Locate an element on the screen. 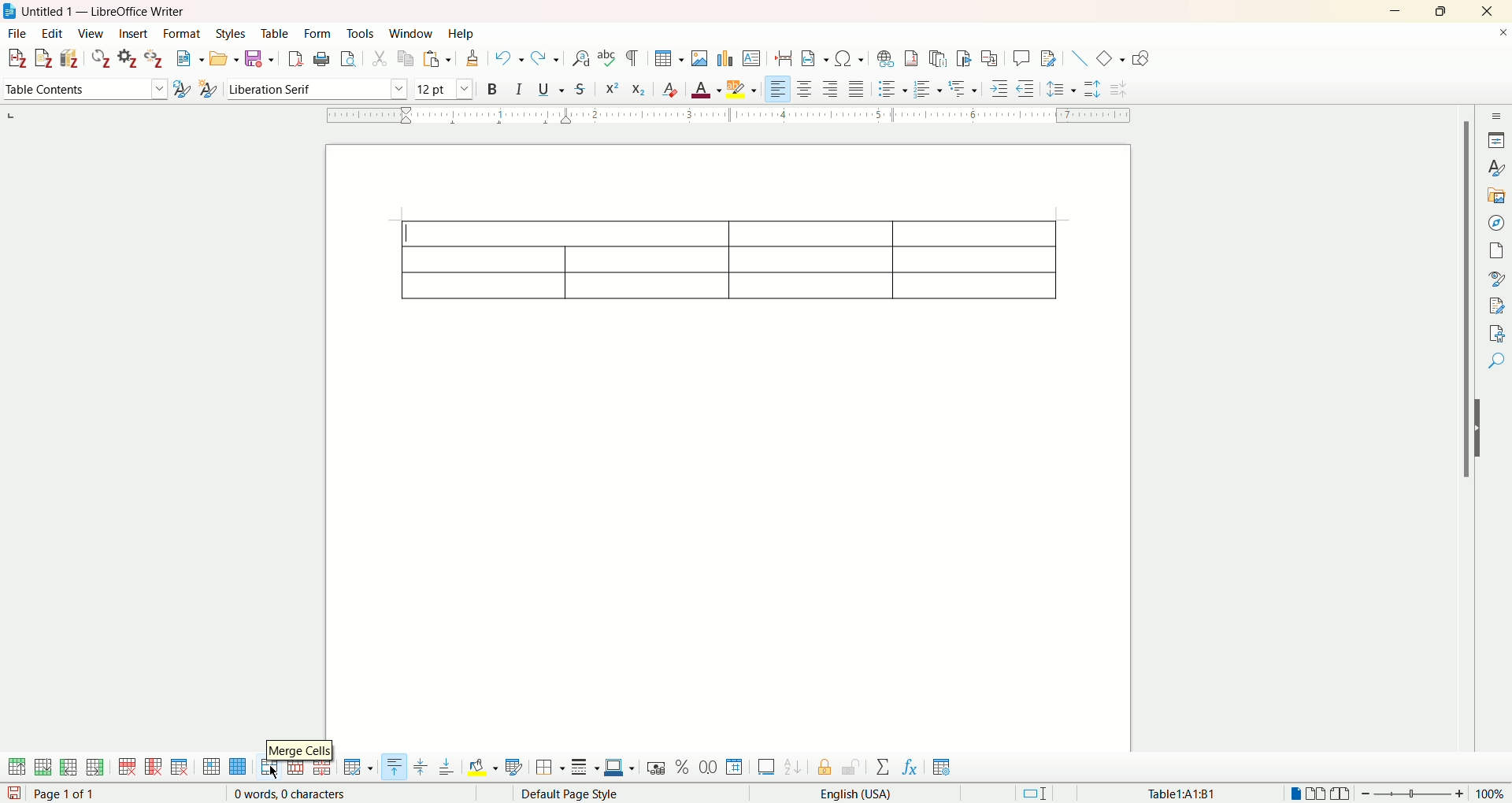  sort is located at coordinates (795, 766).